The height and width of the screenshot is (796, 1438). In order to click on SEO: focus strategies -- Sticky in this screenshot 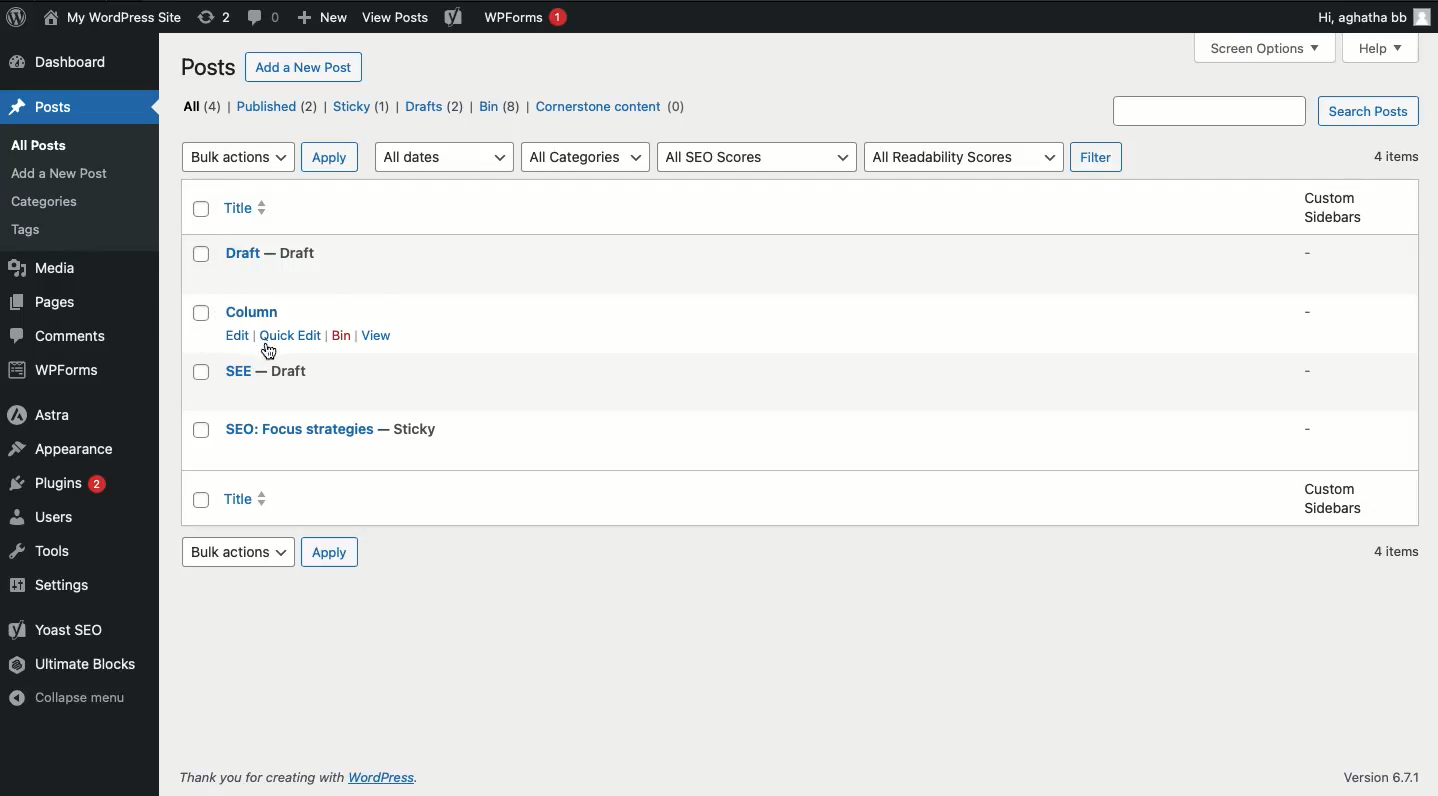, I will do `click(333, 430)`.